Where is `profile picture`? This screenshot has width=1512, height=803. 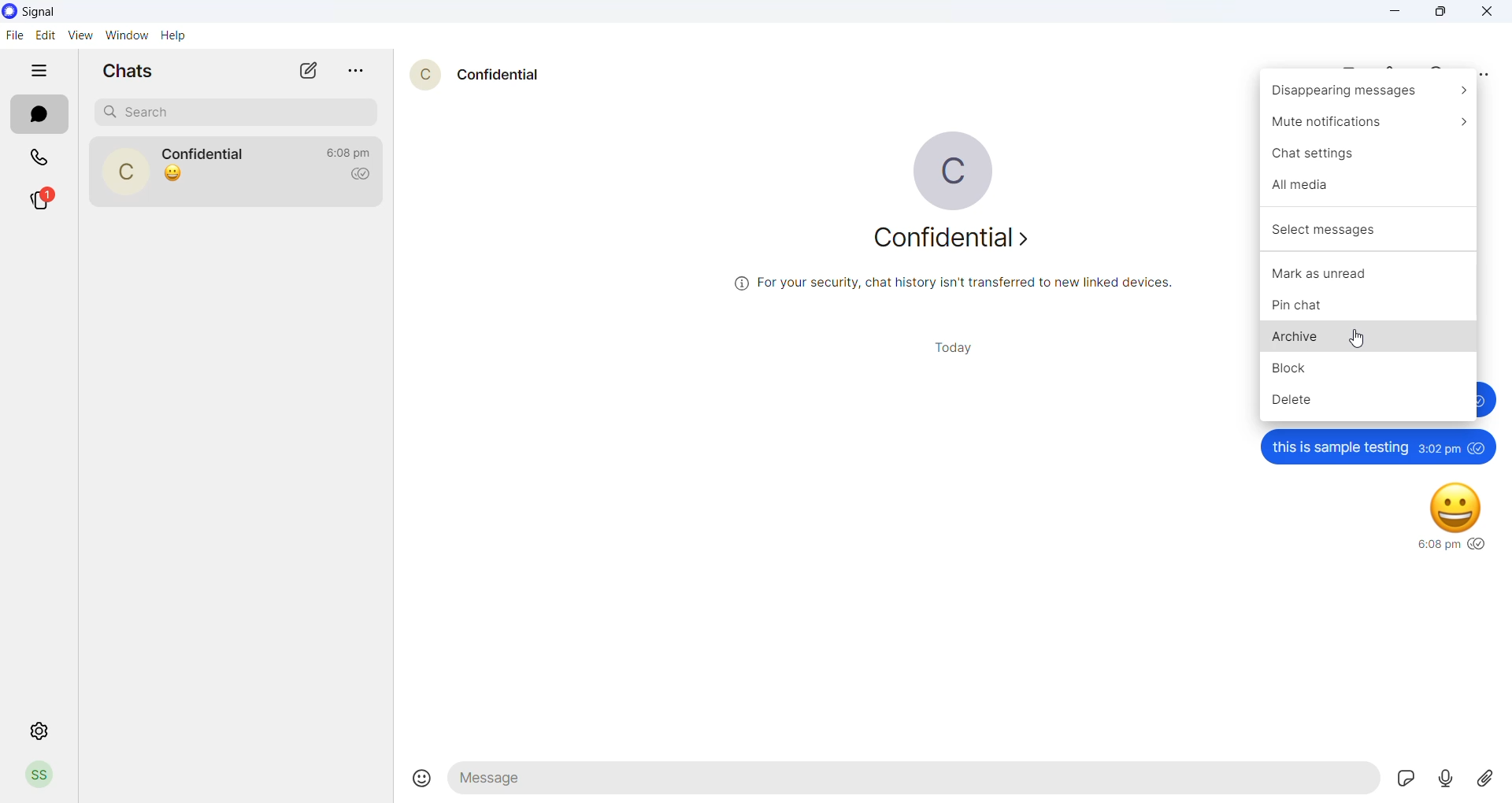 profile picture is located at coordinates (124, 172).